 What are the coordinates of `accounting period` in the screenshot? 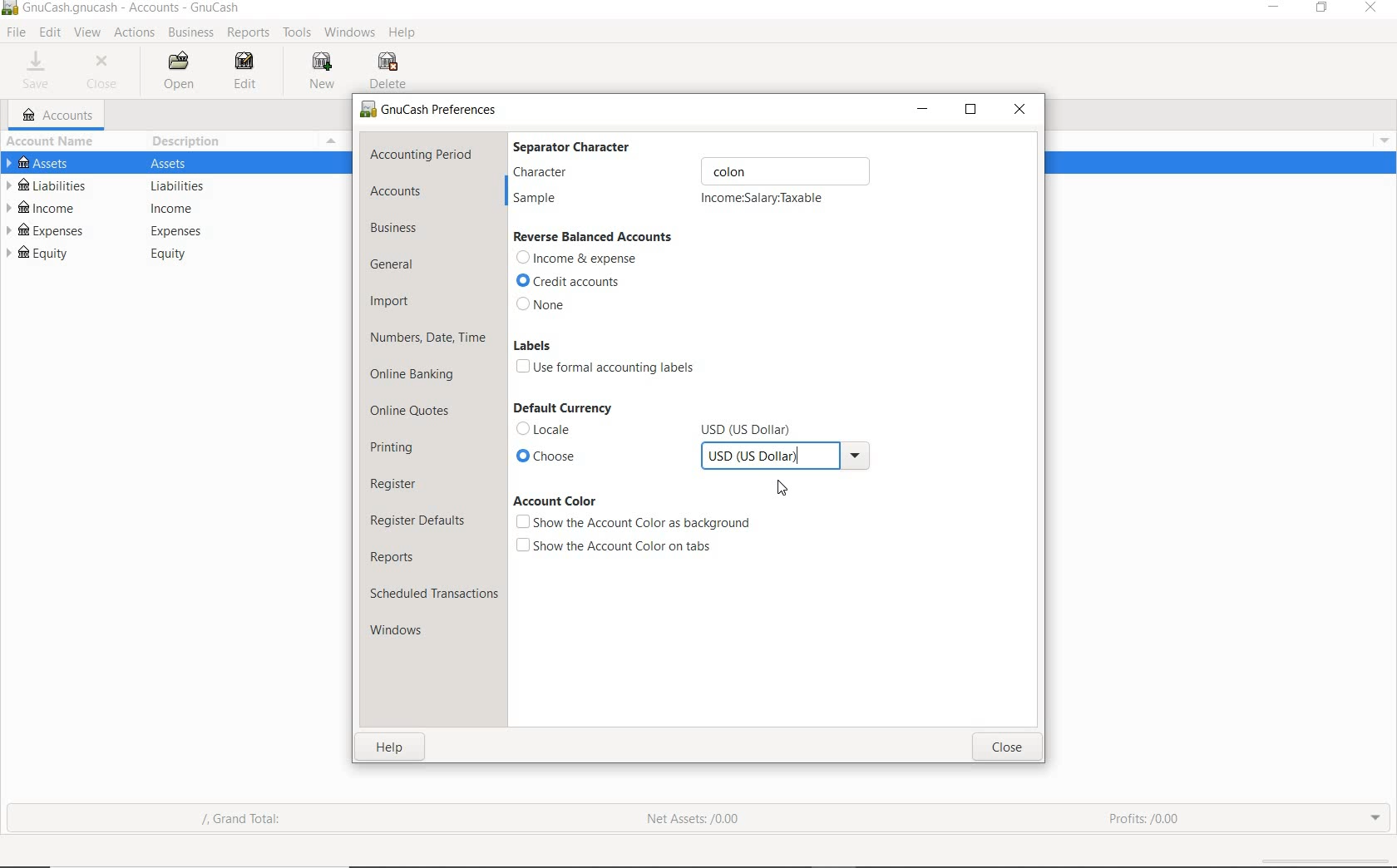 It's located at (422, 154).